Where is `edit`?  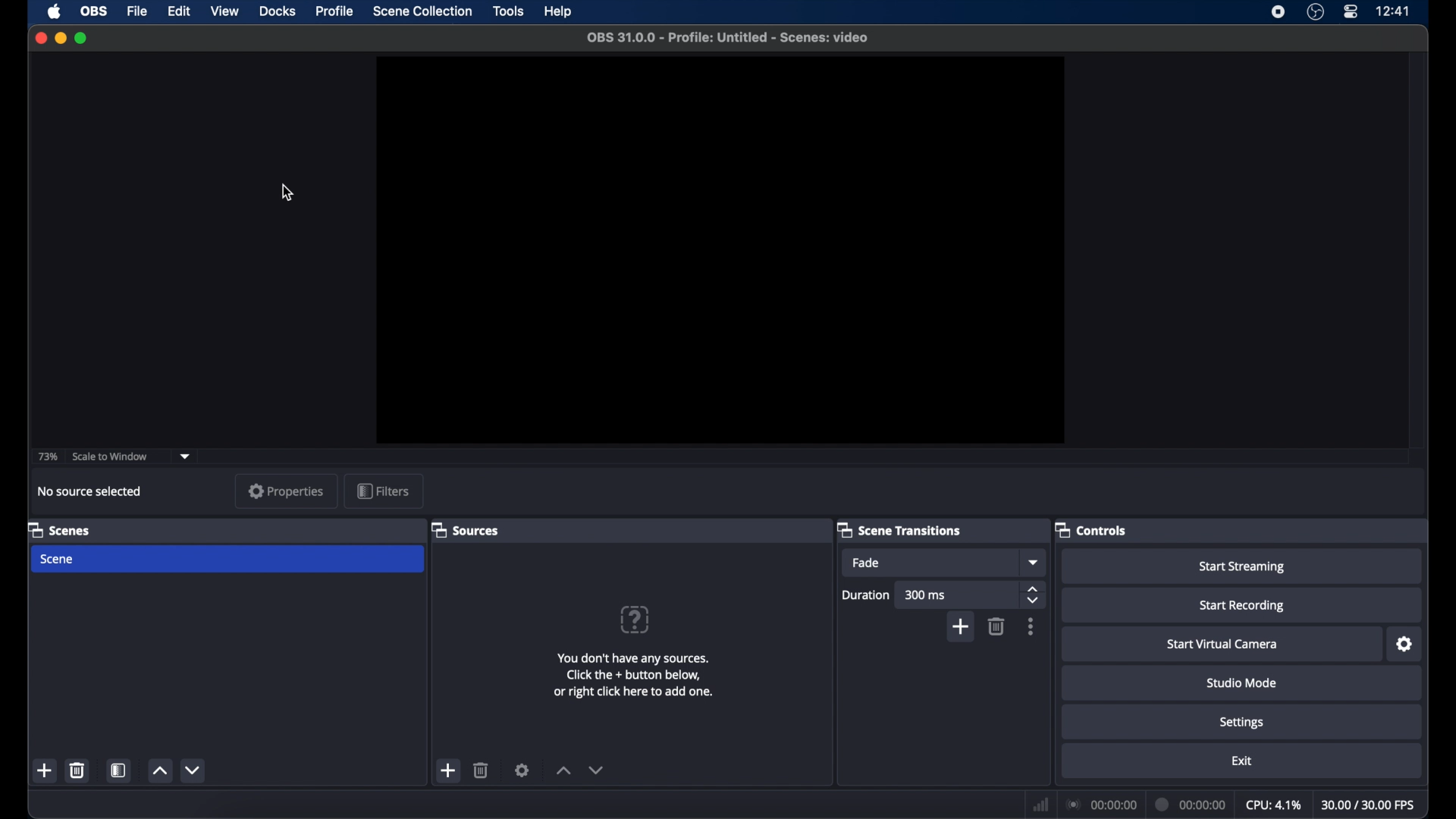
edit is located at coordinates (178, 11).